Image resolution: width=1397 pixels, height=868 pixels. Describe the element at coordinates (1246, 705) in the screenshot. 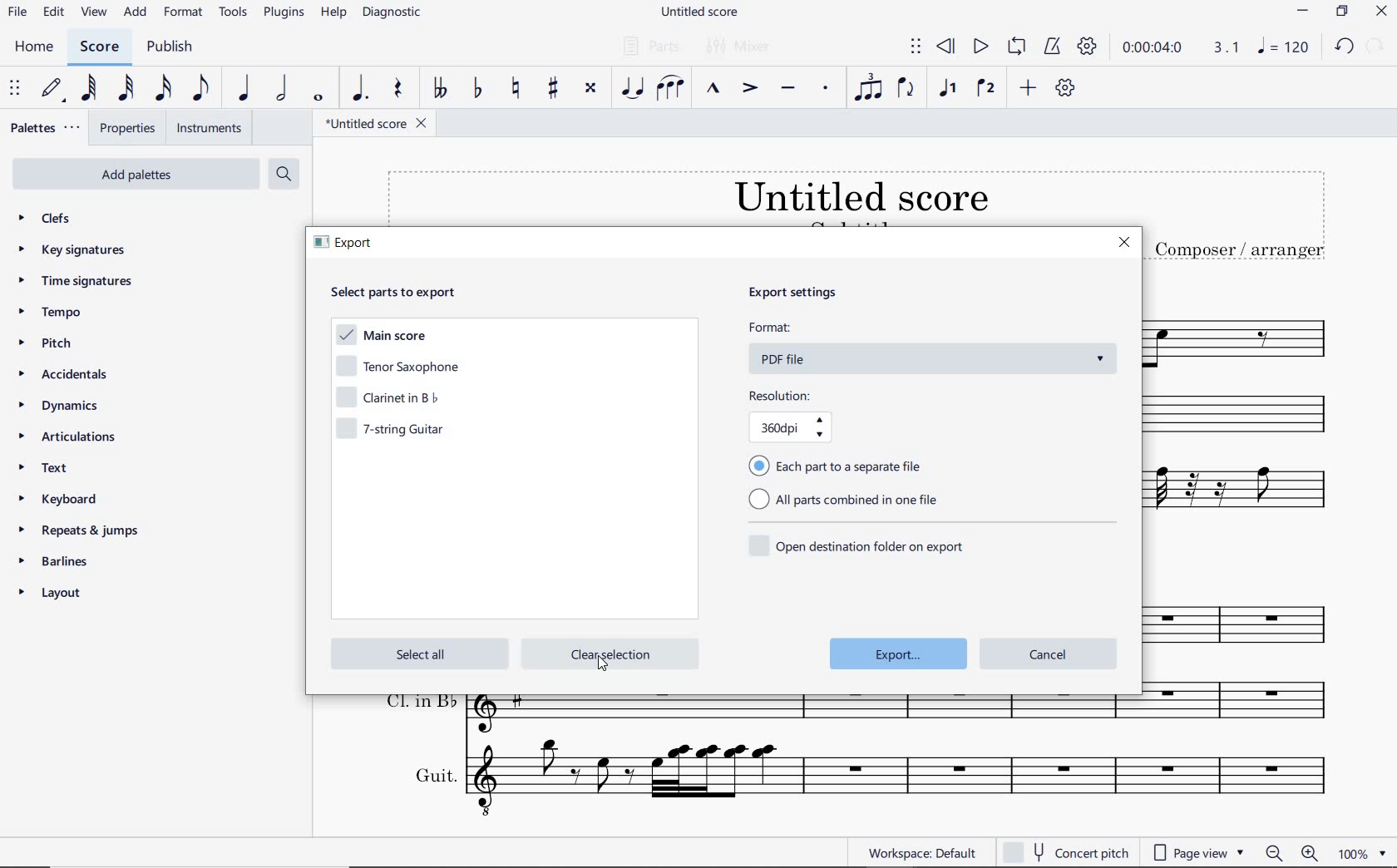

I see `Cl. in B` at that location.